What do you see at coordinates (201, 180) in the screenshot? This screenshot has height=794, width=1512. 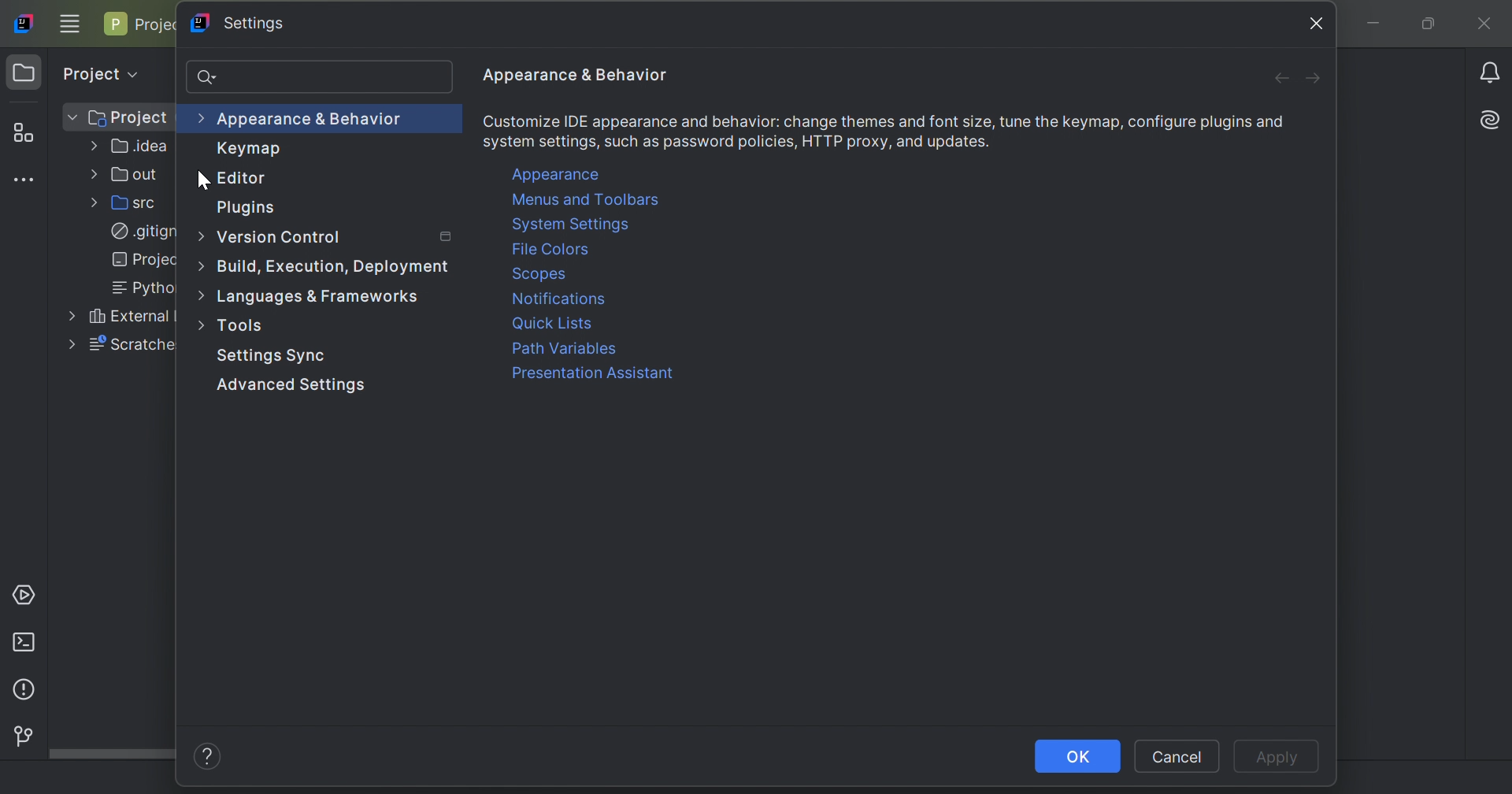 I see `Cursor` at bounding box center [201, 180].